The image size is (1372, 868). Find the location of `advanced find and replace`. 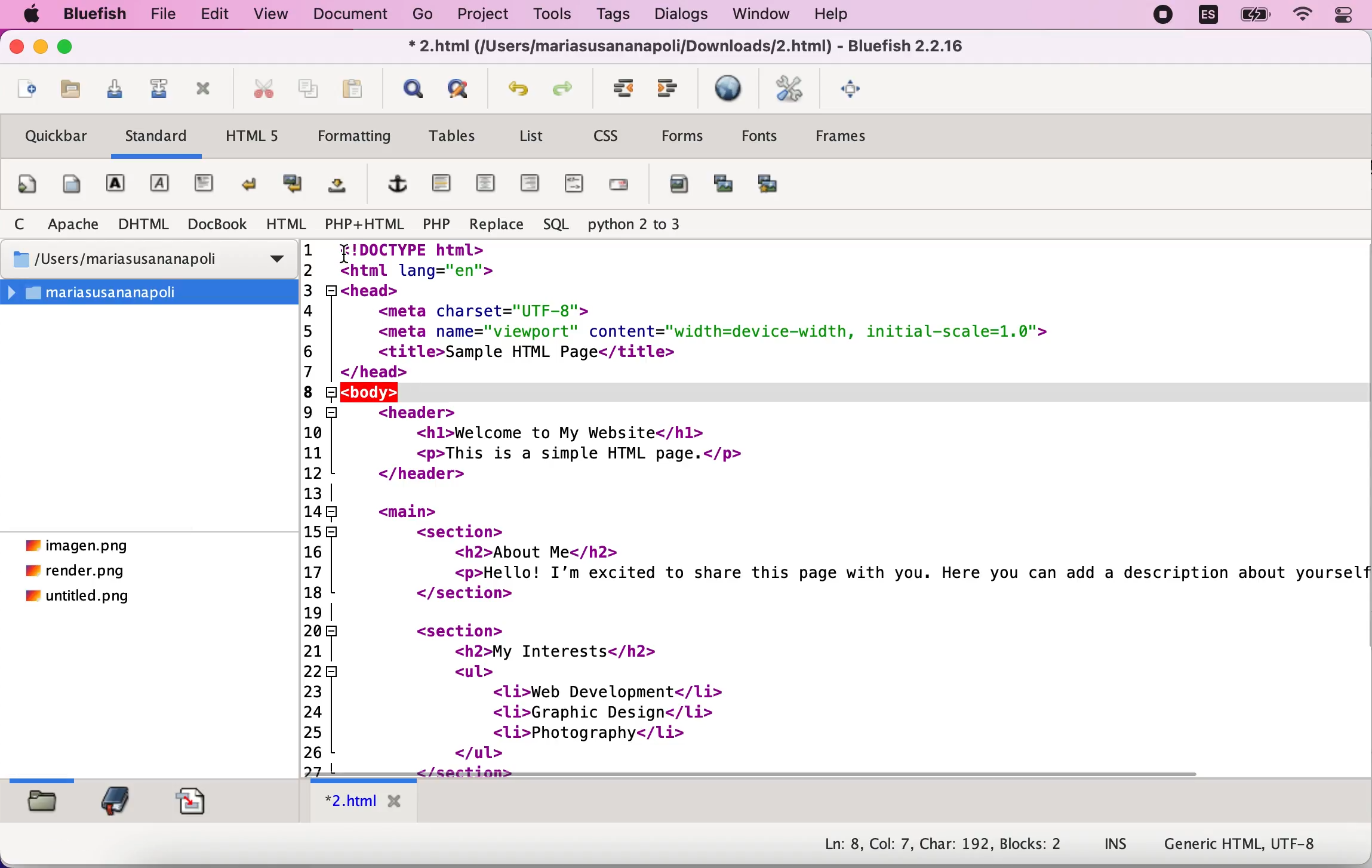

advanced find and replace is located at coordinates (463, 90).